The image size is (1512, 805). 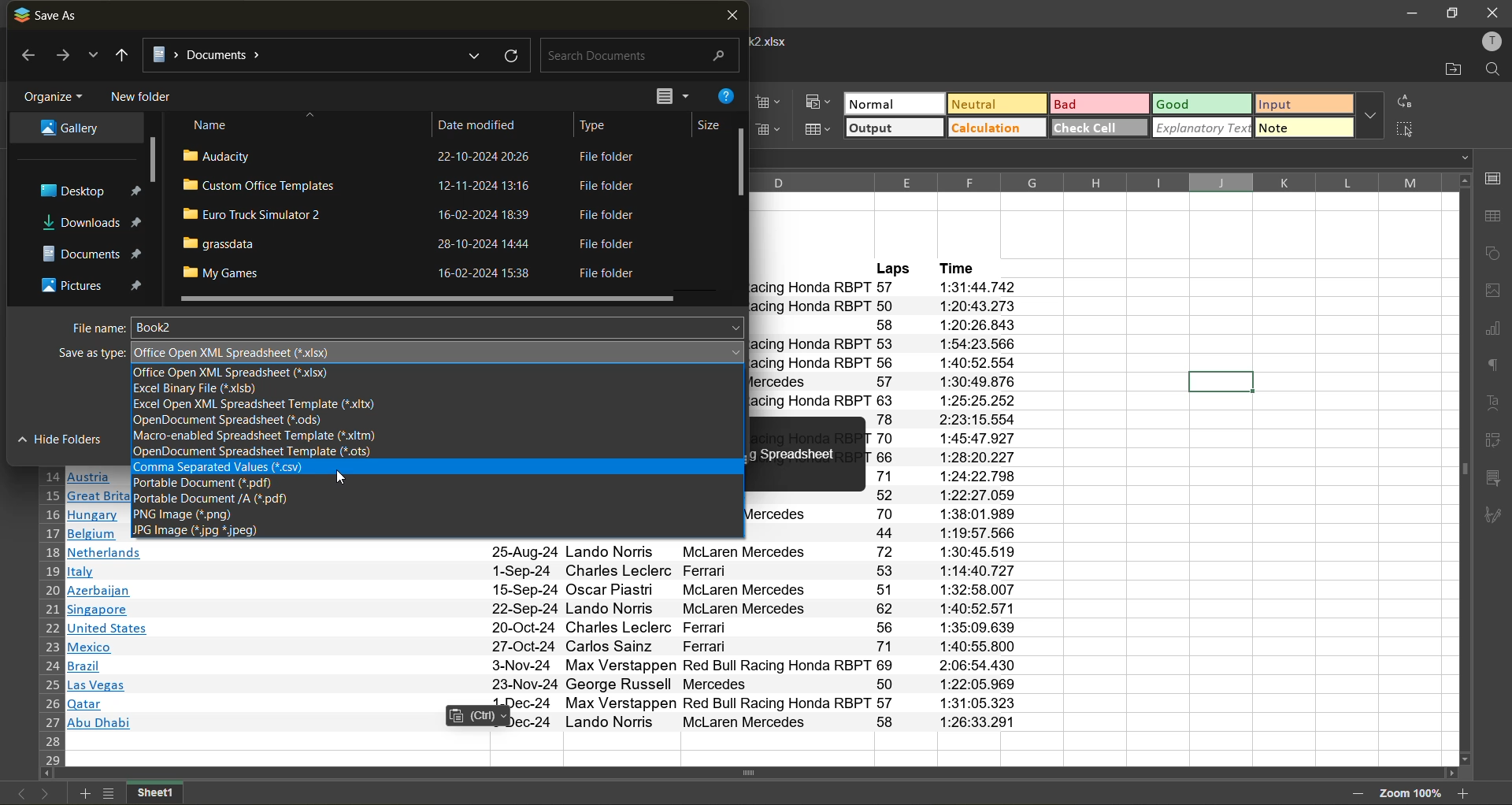 What do you see at coordinates (1493, 12) in the screenshot?
I see `close` at bounding box center [1493, 12].